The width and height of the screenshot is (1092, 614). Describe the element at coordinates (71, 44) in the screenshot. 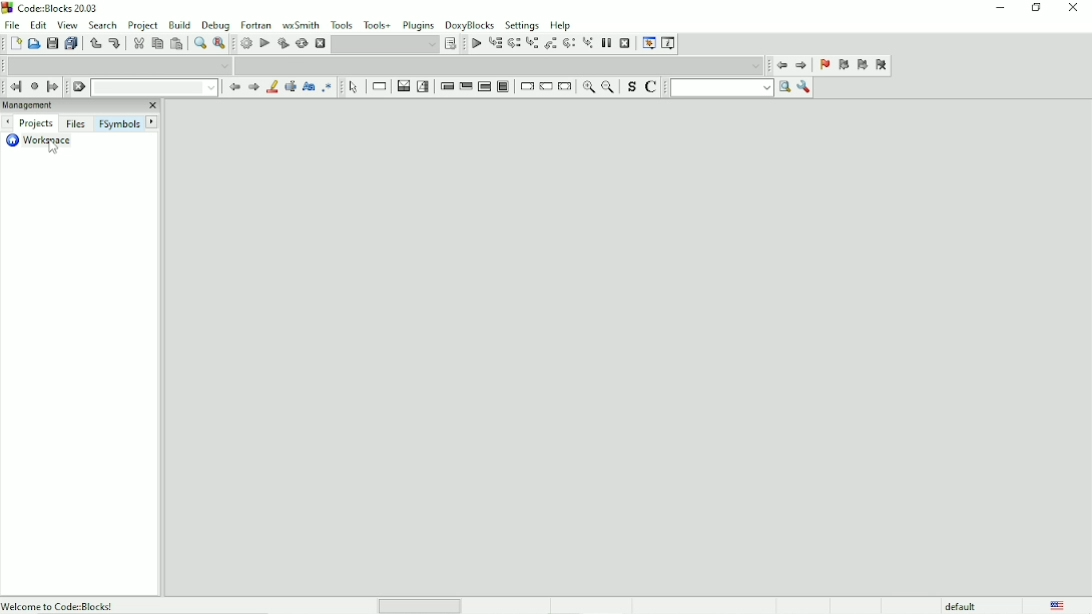

I see `Save everything` at that location.